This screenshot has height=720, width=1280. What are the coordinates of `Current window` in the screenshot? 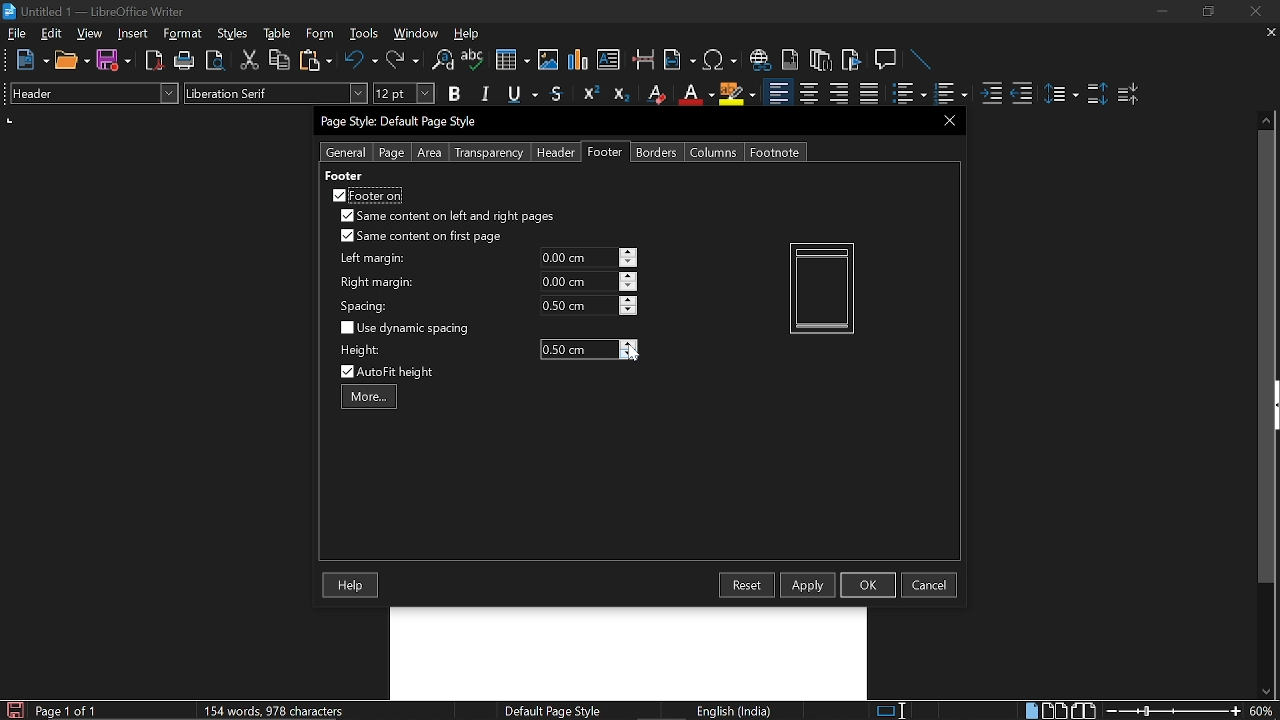 It's located at (402, 122).